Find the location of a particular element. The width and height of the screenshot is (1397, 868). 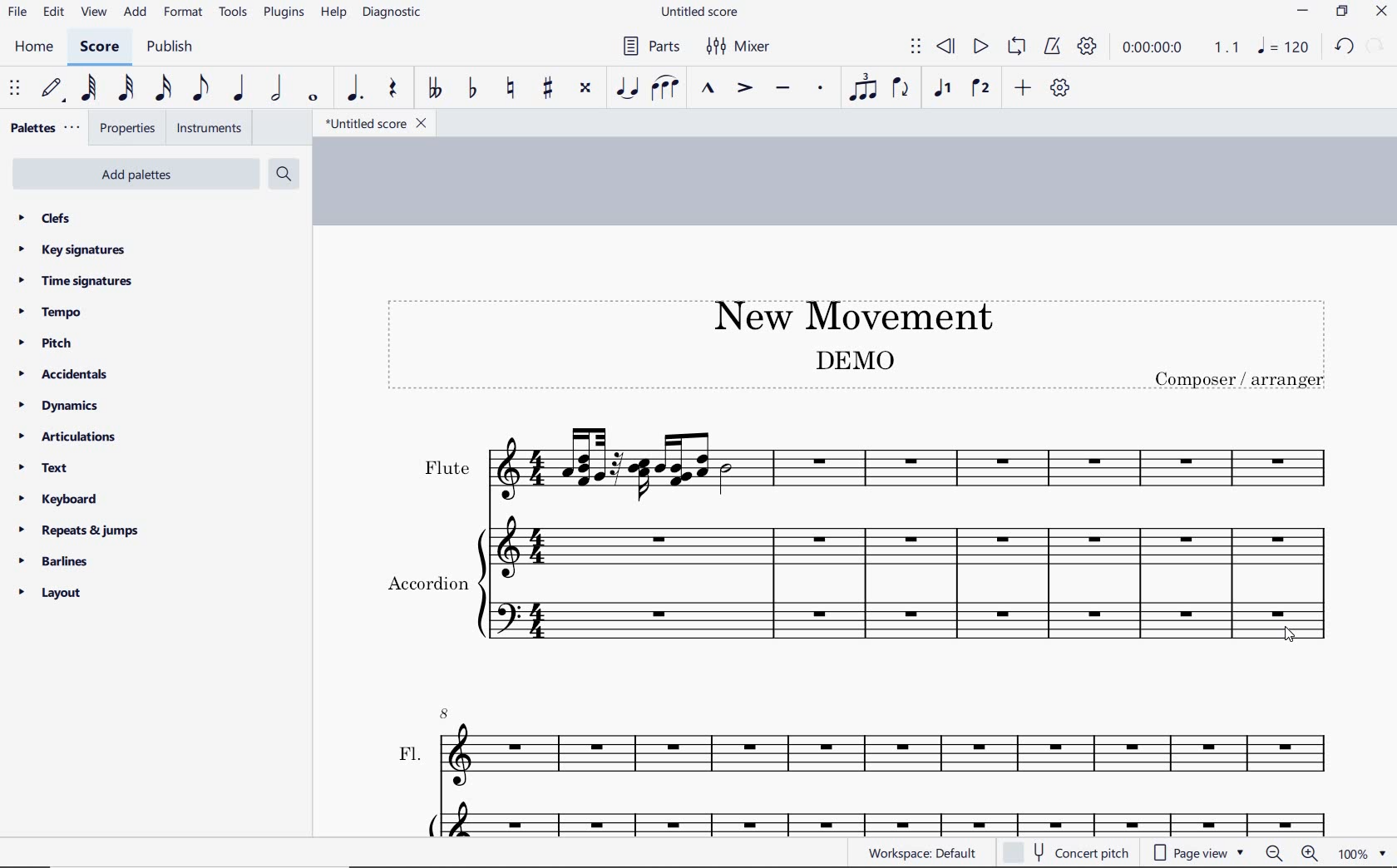

cursor is located at coordinates (1288, 635).